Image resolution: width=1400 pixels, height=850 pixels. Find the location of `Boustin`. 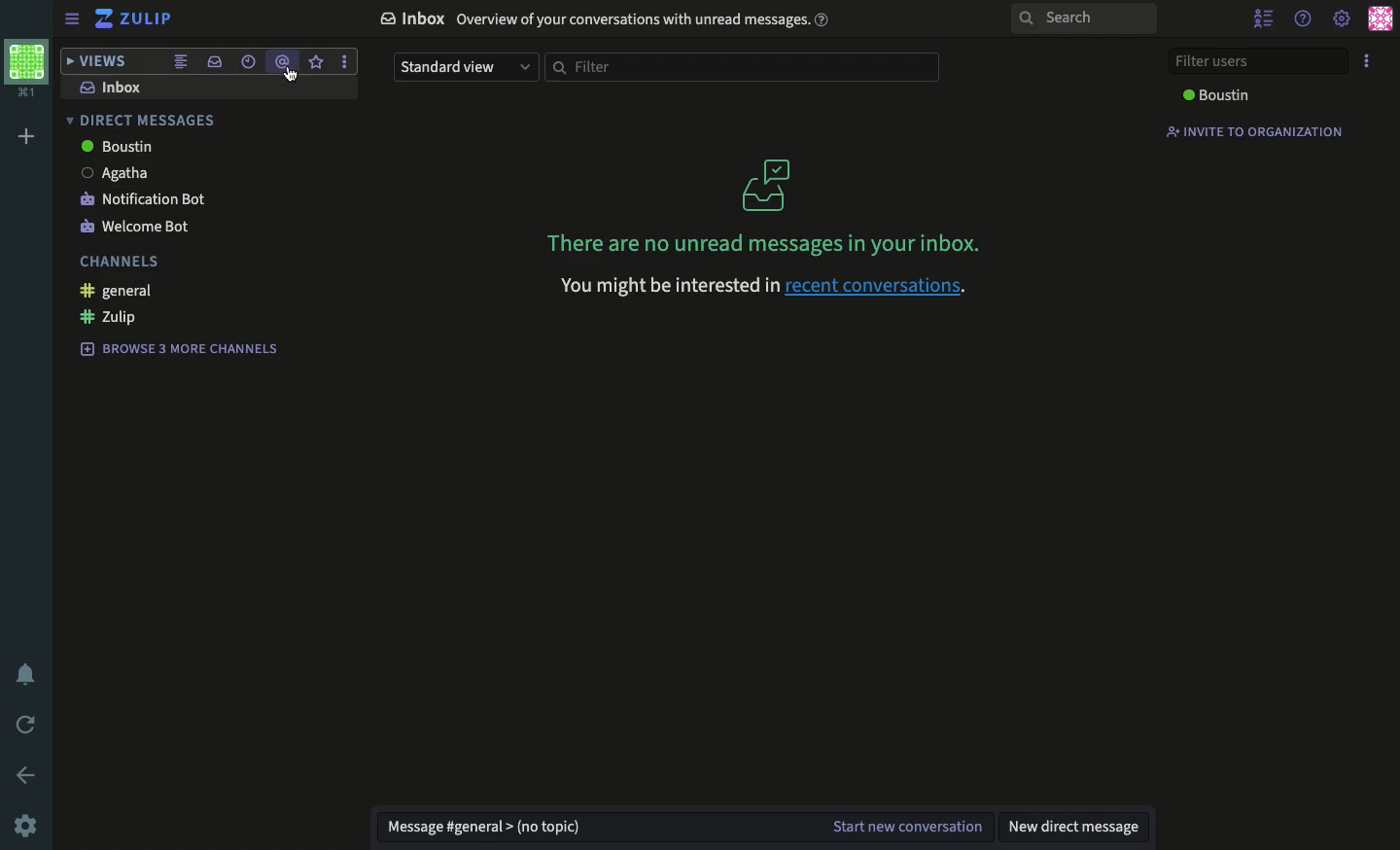

Boustin is located at coordinates (122, 147).